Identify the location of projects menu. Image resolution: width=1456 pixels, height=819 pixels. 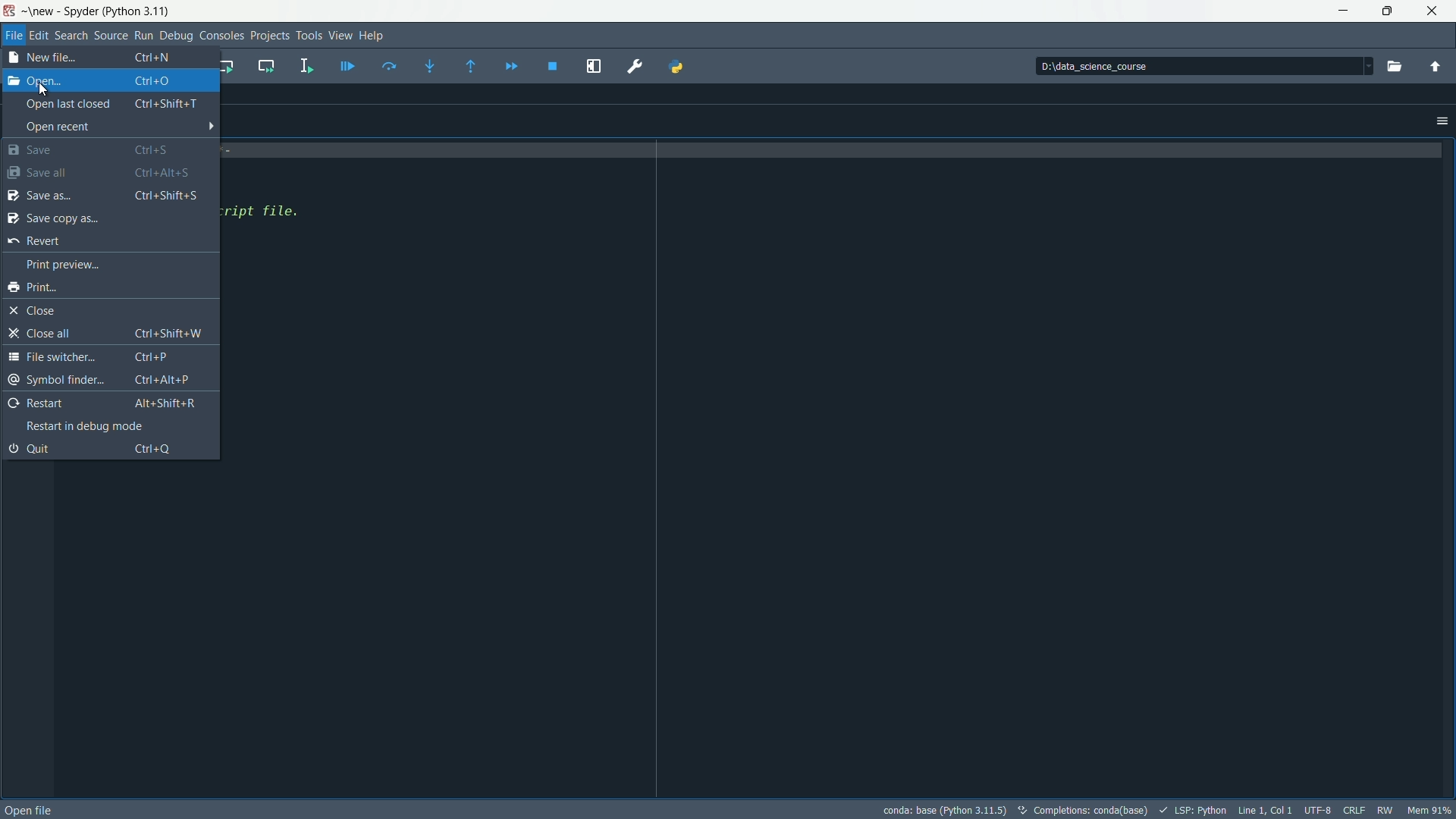
(271, 36).